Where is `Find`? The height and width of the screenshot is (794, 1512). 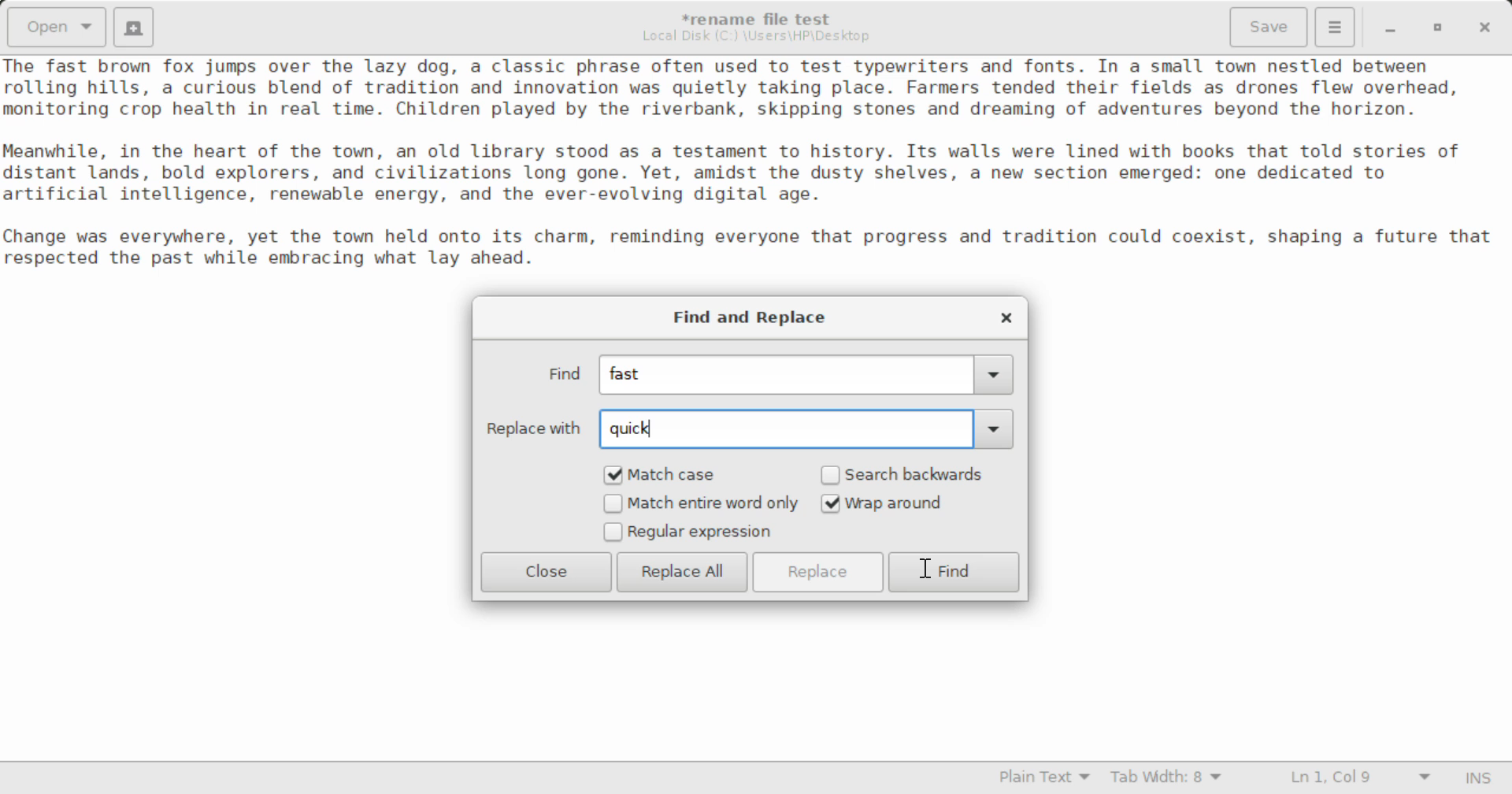
Find is located at coordinates (955, 572).